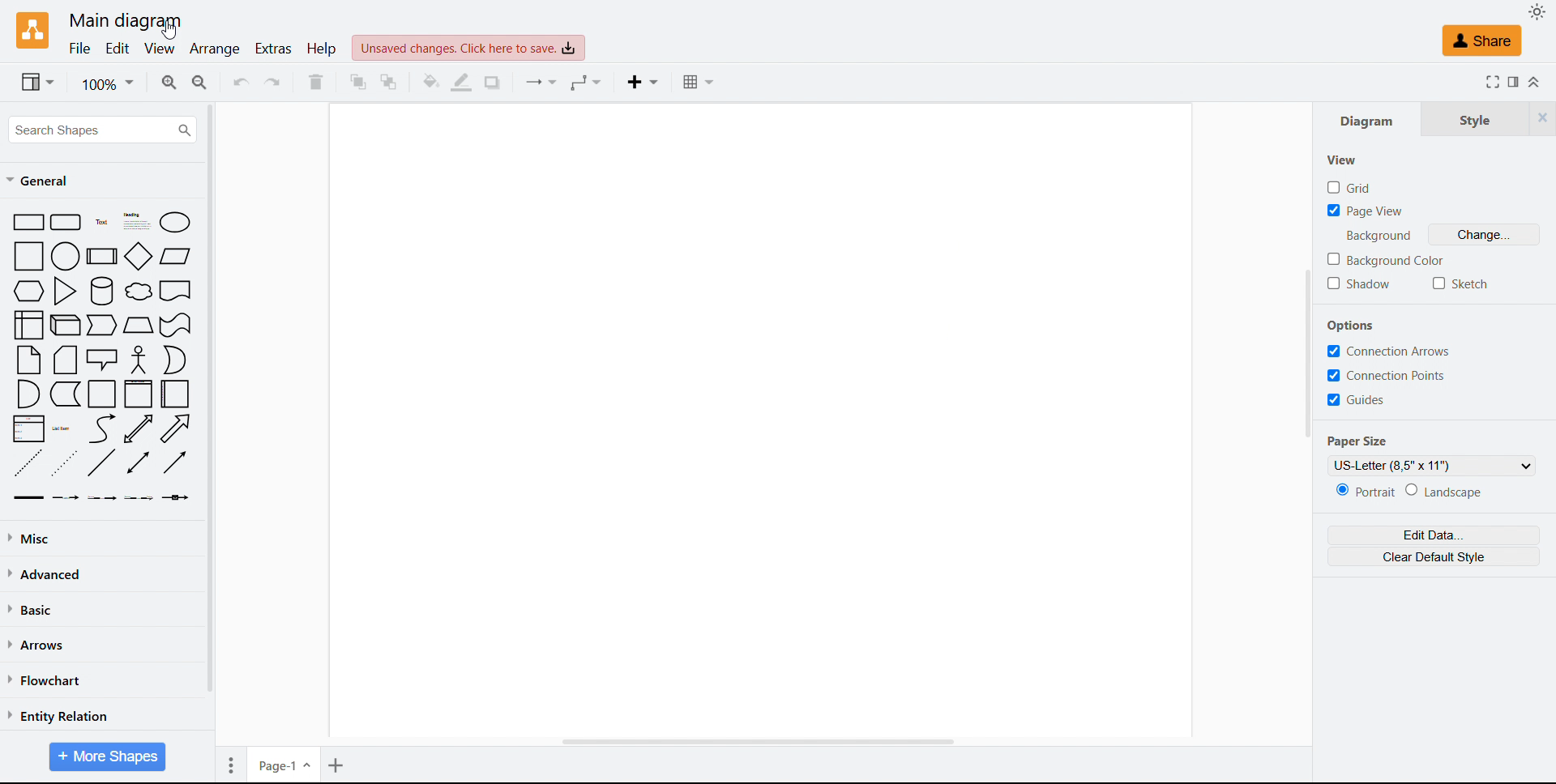 This screenshot has height=784, width=1556. What do you see at coordinates (1383, 236) in the screenshot?
I see `text` at bounding box center [1383, 236].